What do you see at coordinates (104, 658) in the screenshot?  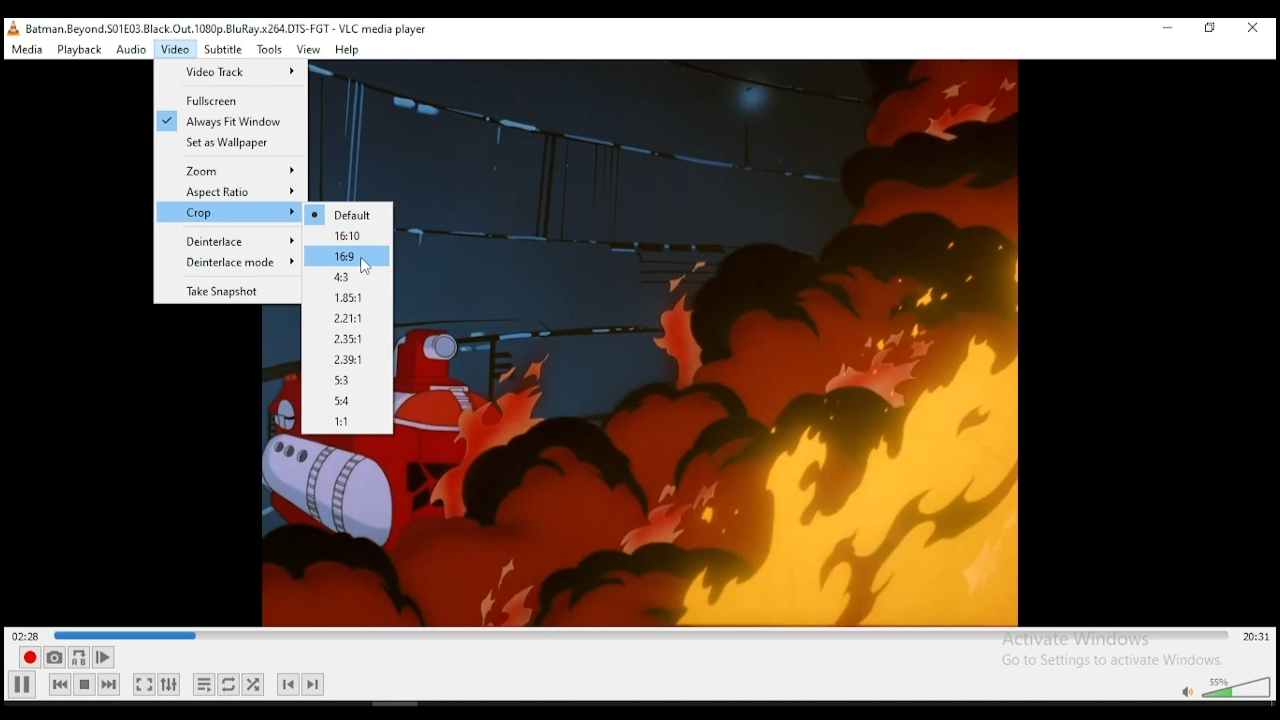 I see `frame by frame` at bounding box center [104, 658].